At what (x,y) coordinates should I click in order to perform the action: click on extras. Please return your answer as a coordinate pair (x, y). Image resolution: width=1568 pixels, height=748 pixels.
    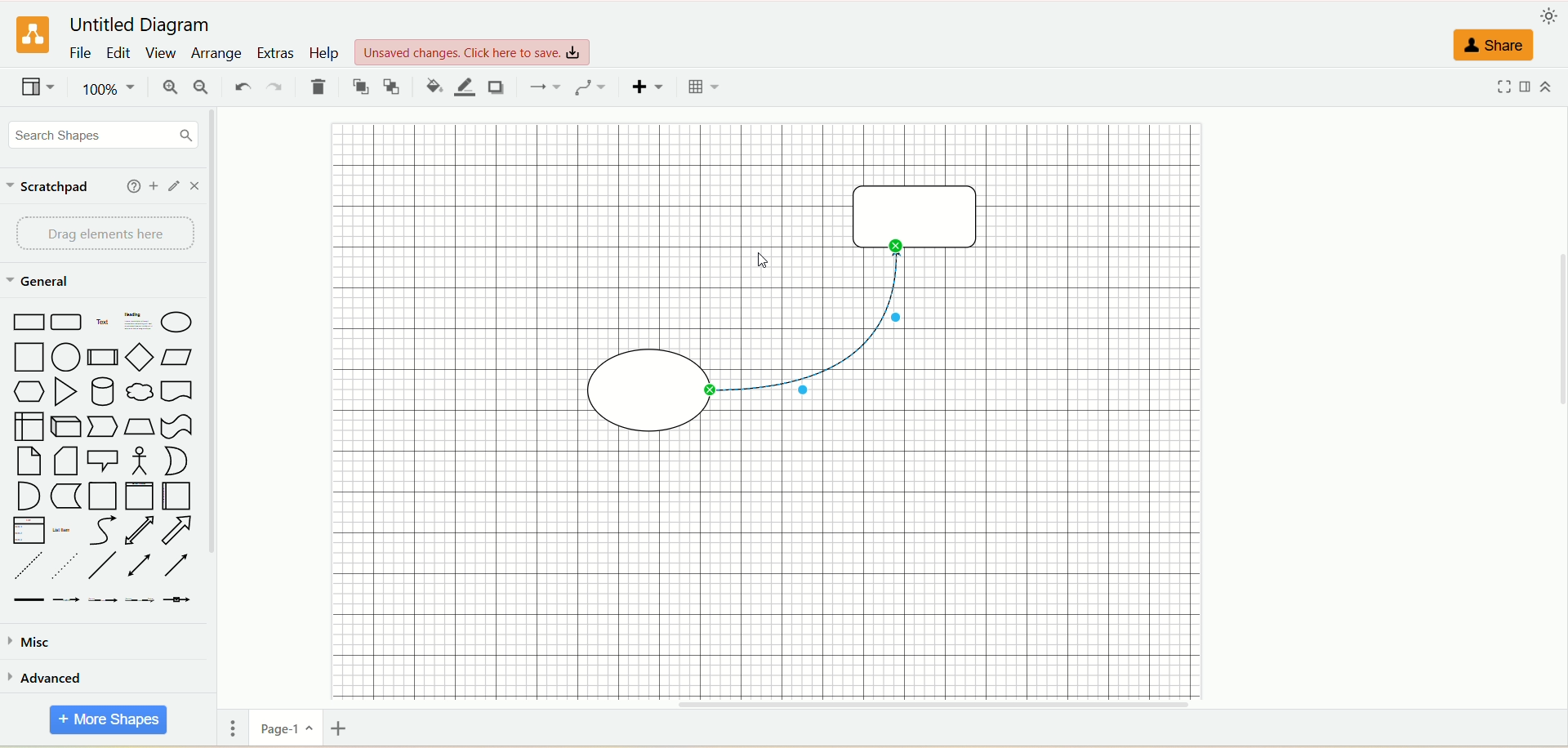
    Looking at the image, I should click on (276, 51).